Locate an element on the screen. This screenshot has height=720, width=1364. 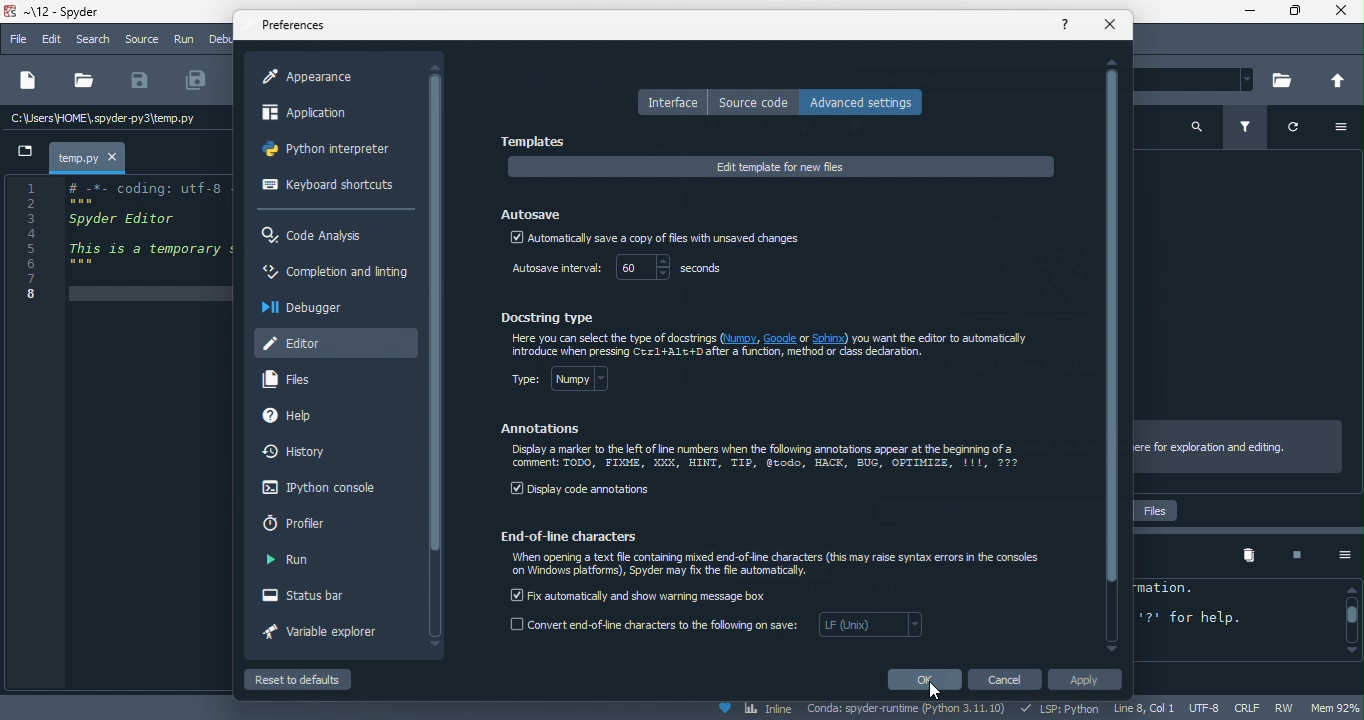
text of end of line characters is located at coordinates (780, 566).